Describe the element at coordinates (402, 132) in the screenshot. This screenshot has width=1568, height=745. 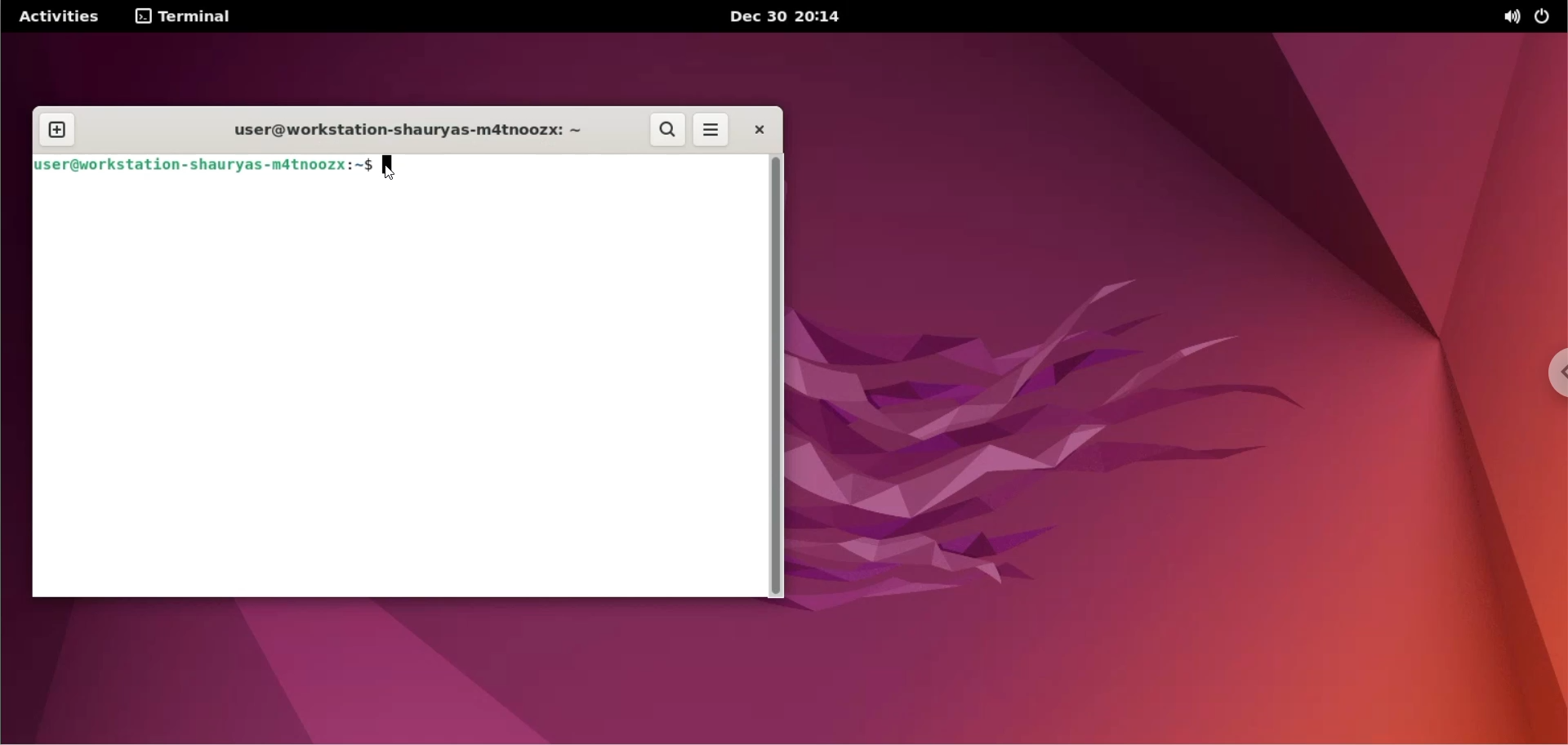
I see `user@workstation-shauryas-m4tnoozx: ~` at that location.